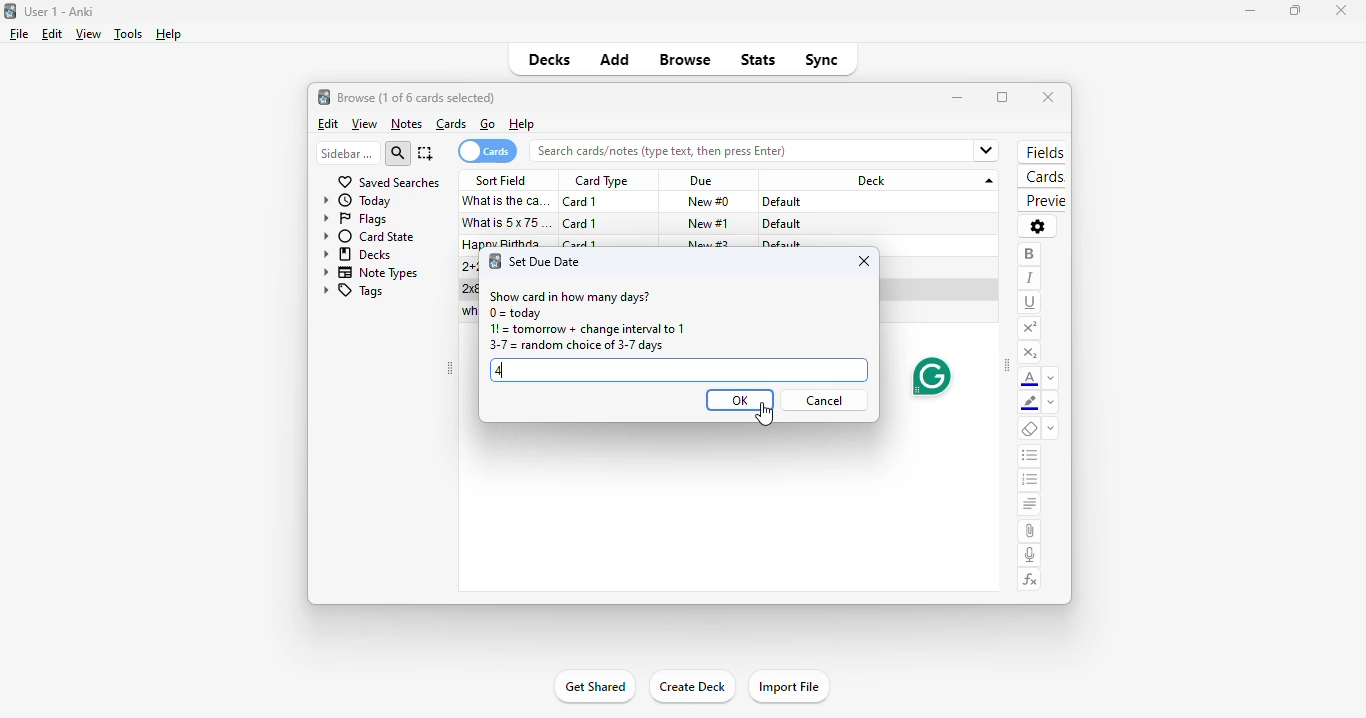 The image size is (1366, 718). I want to click on logo, so click(324, 97).